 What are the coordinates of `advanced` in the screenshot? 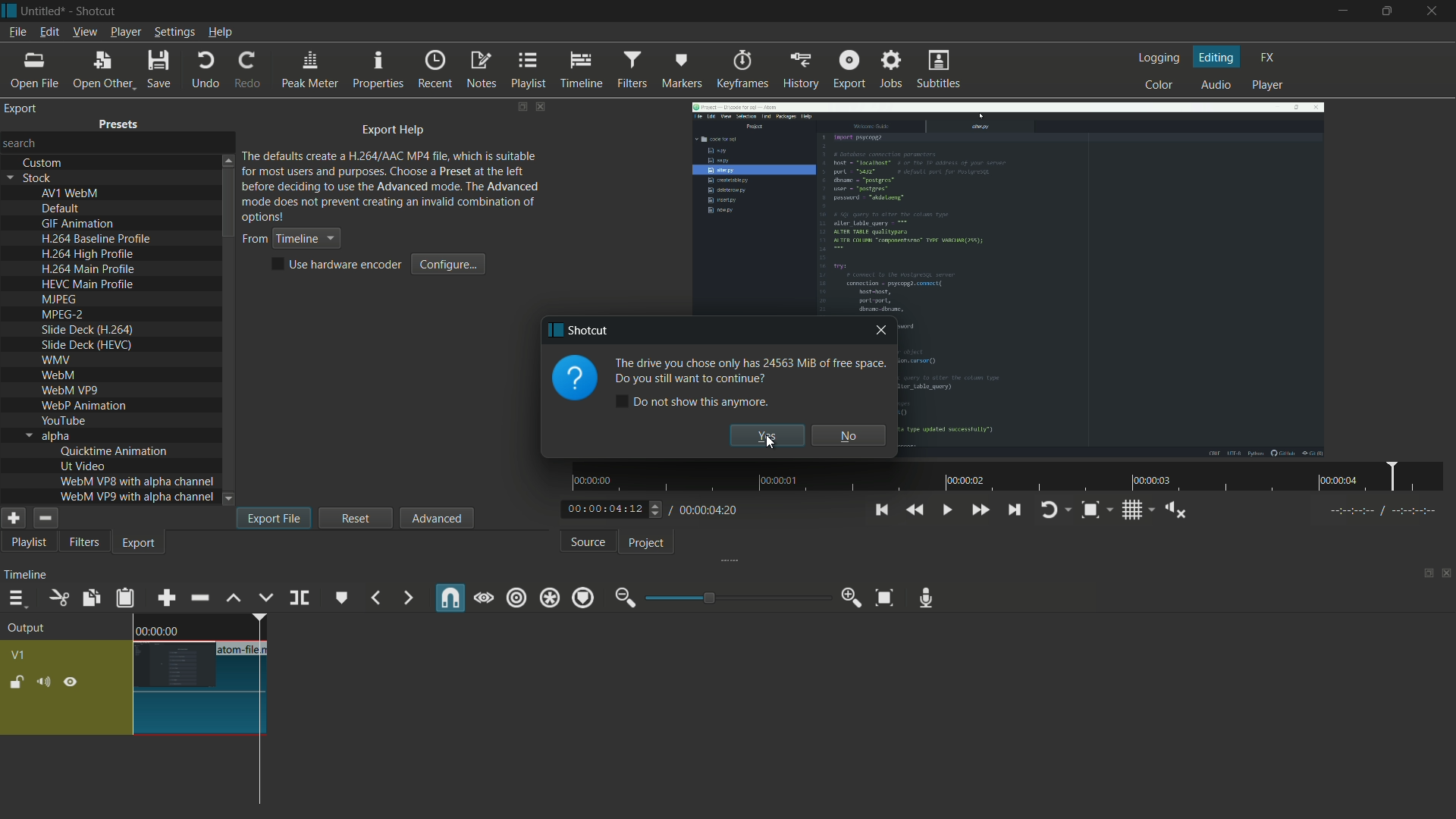 It's located at (435, 518).